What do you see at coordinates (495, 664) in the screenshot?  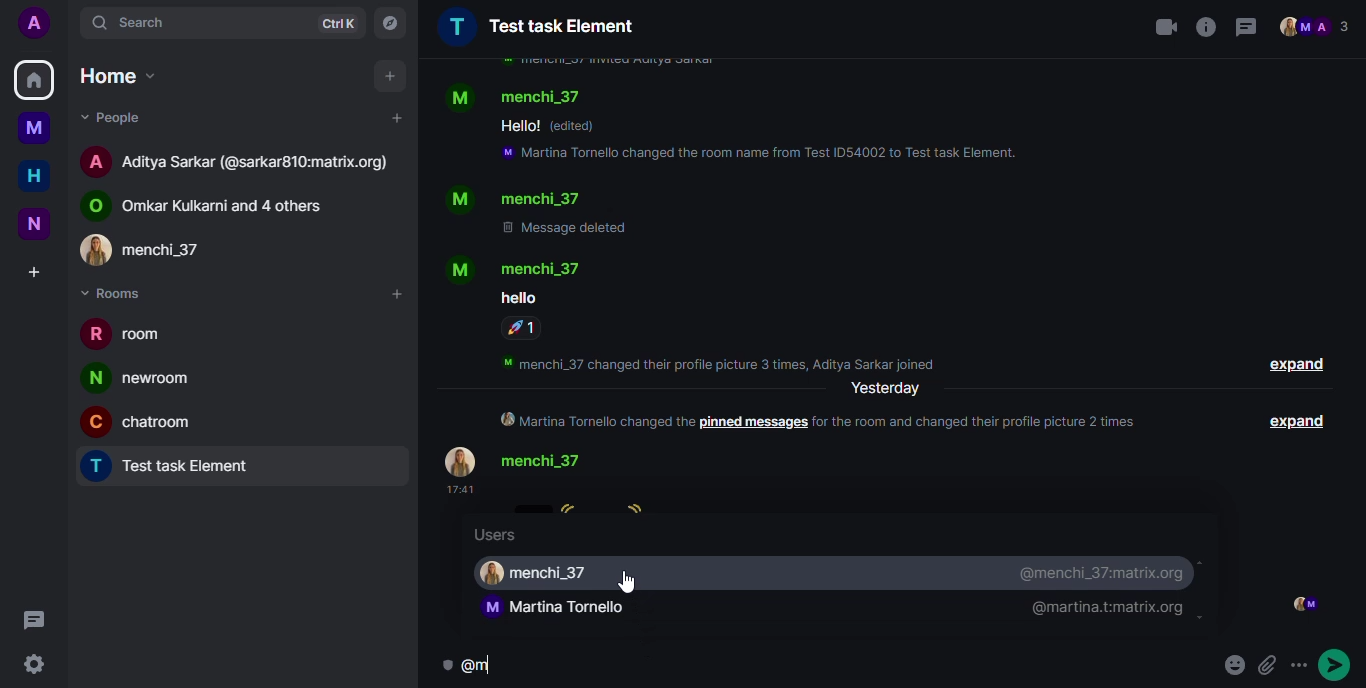 I see `encryption` at bounding box center [495, 664].